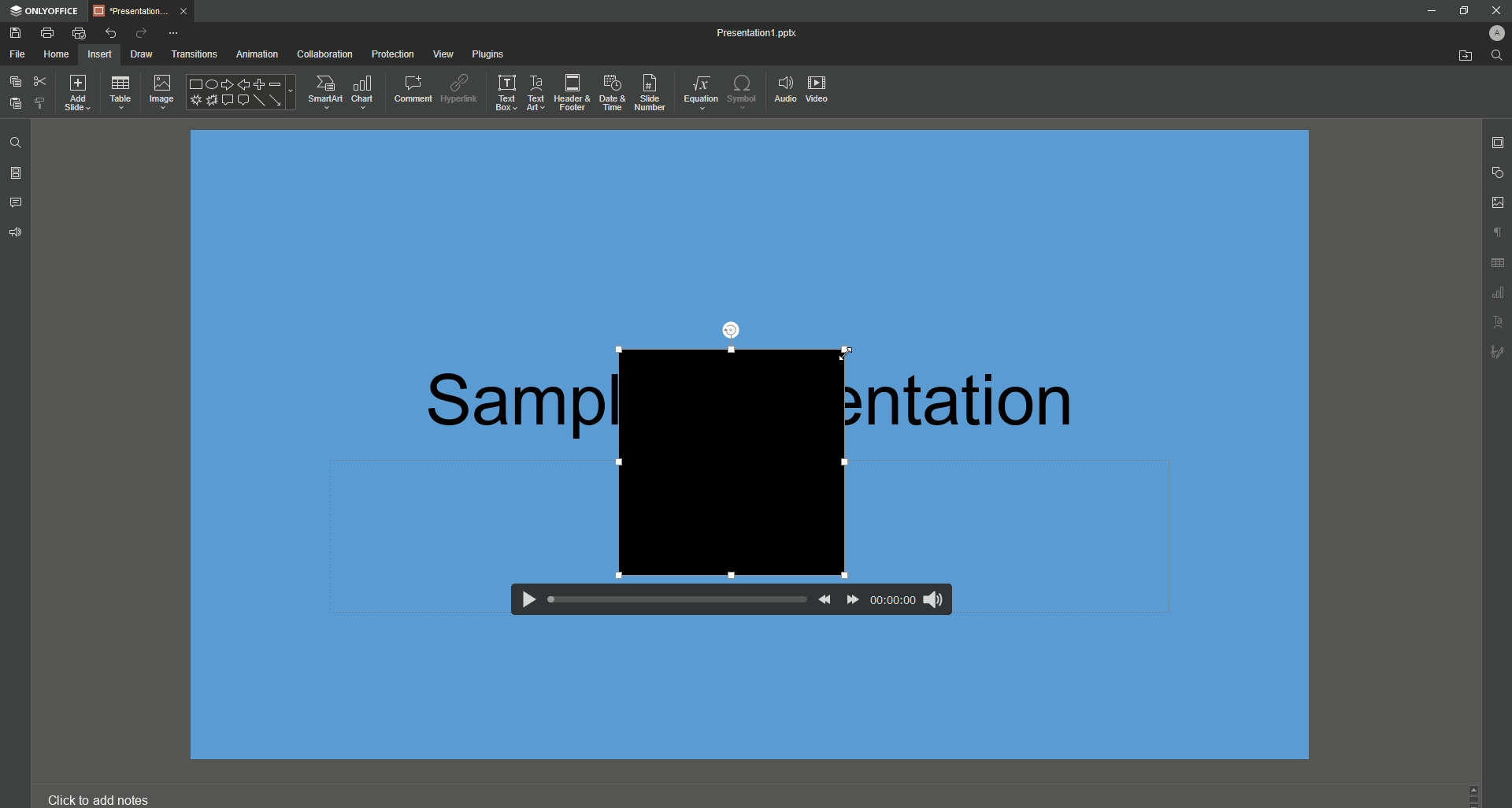 The height and width of the screenshot is (808, 1512). What do you see at coordinates (535, 93) in the screenshot?
I see `Text Art` at bounding box center [535, 93].